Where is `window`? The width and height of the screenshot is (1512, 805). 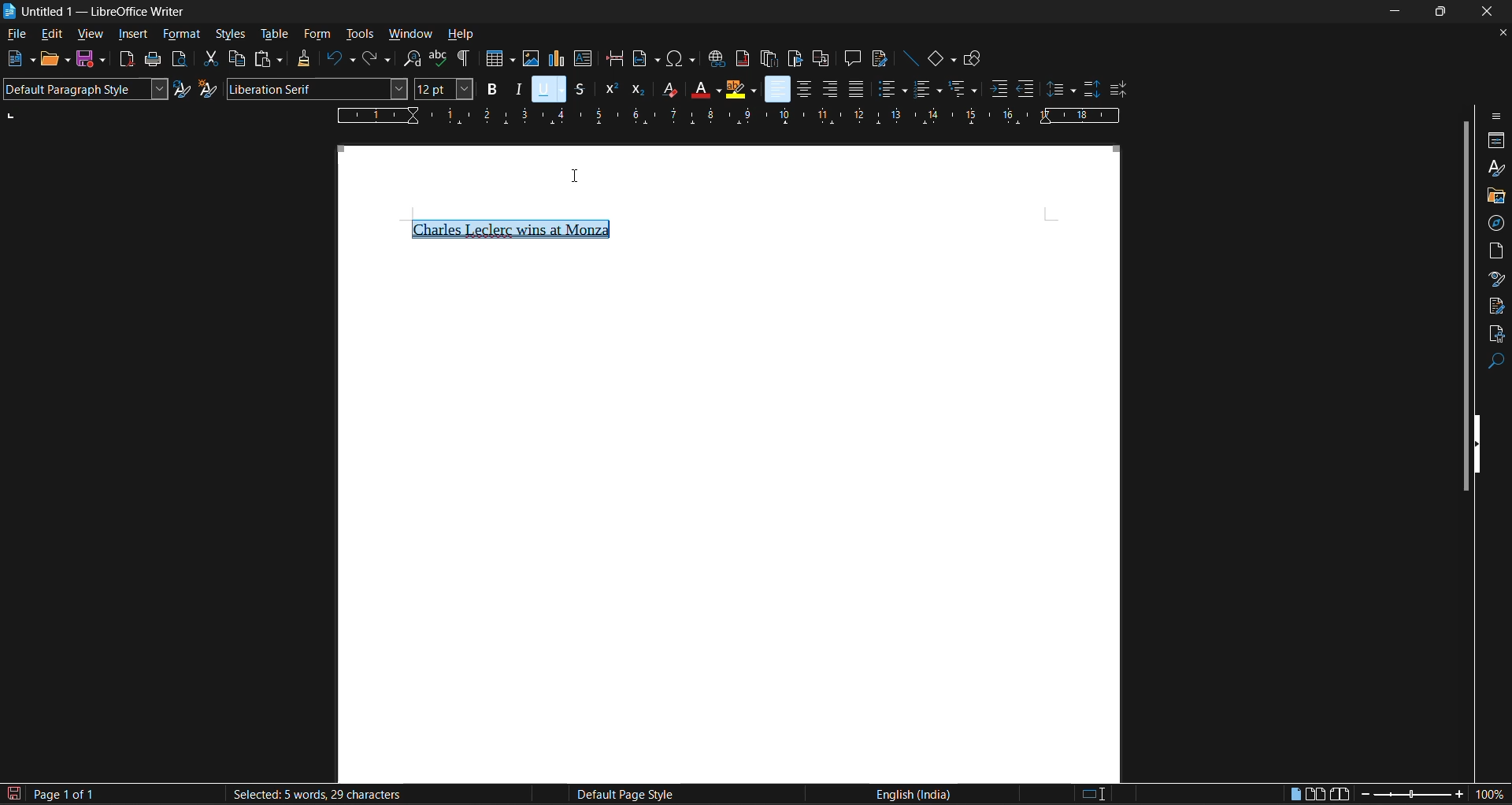
window is located at coordinates (408, 33).